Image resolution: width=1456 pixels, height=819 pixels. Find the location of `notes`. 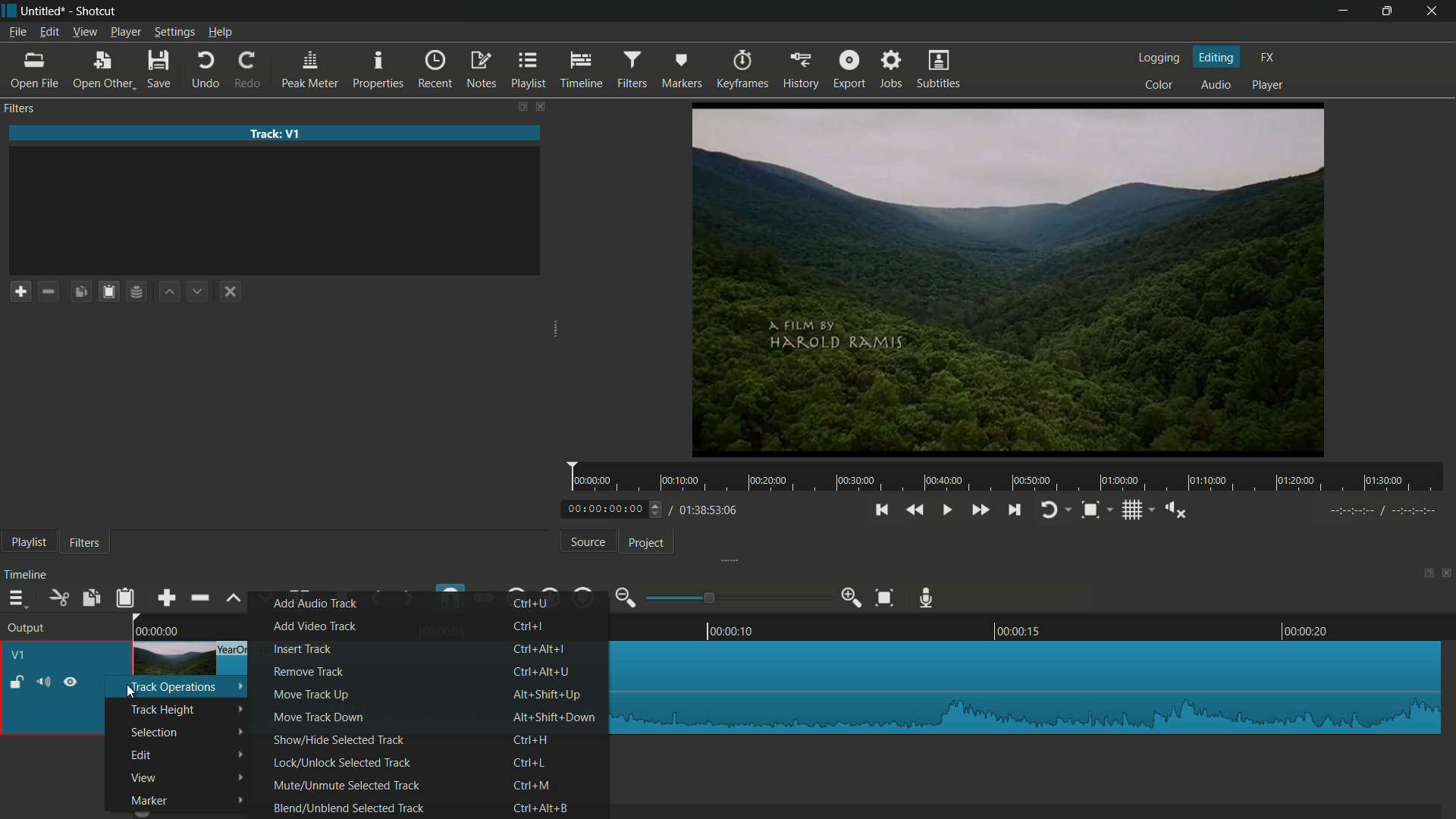

notes is located at coordinates (483, 69).